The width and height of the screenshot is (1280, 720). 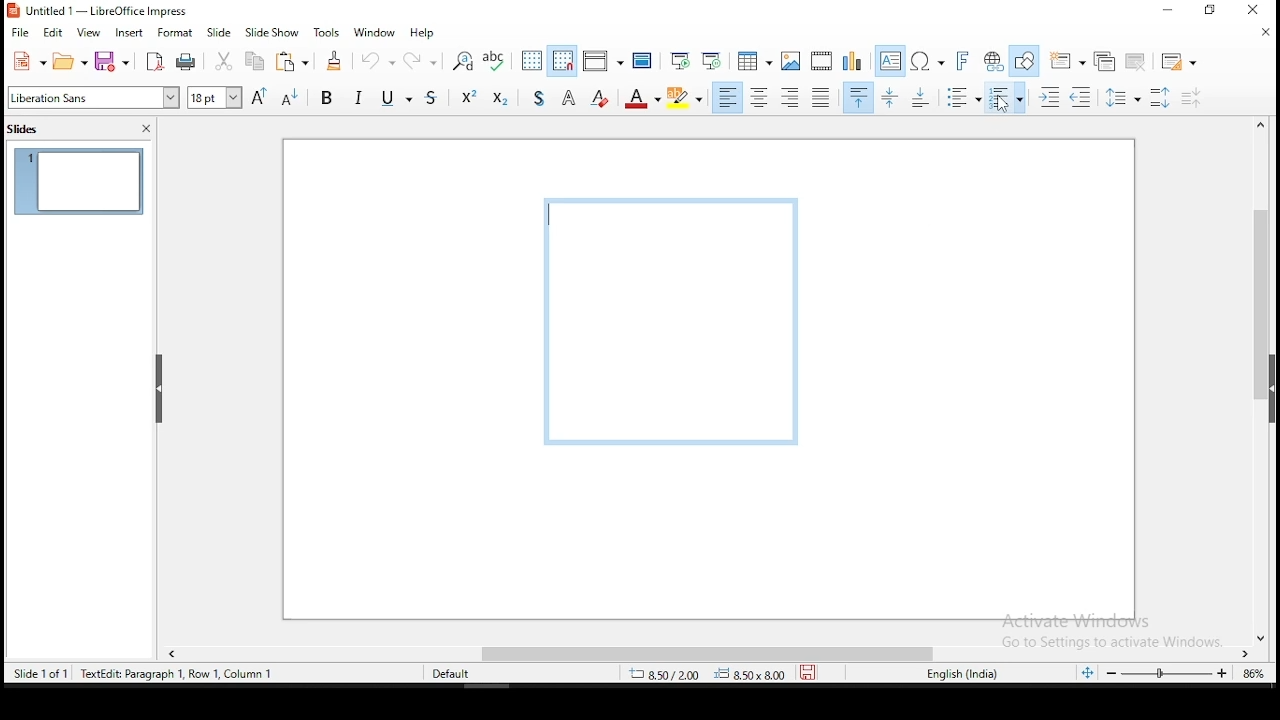 I want to click on clone formatting, so click(x=334, y=60).